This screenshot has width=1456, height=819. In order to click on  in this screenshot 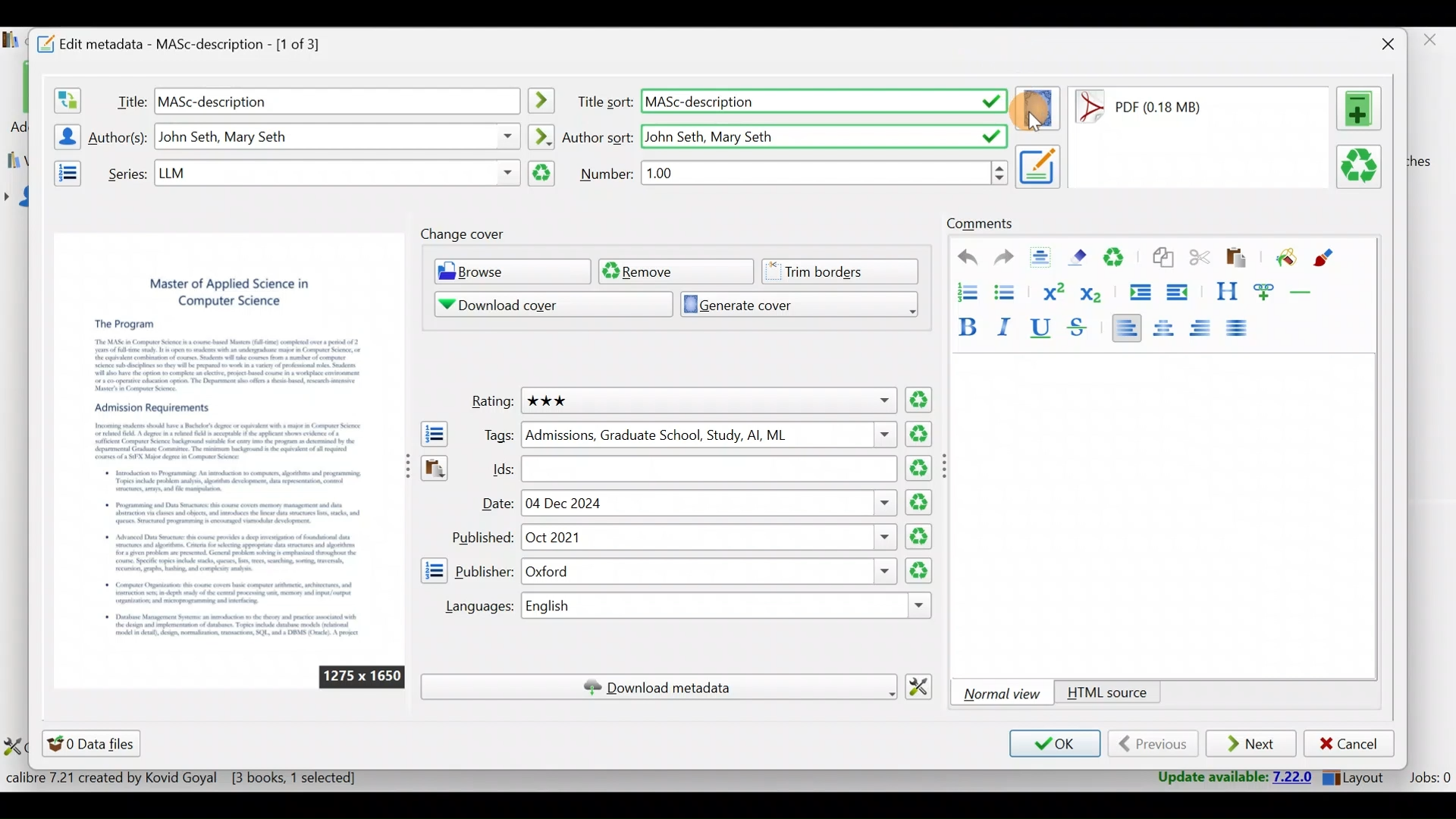, I will do `click(708, 572)`.